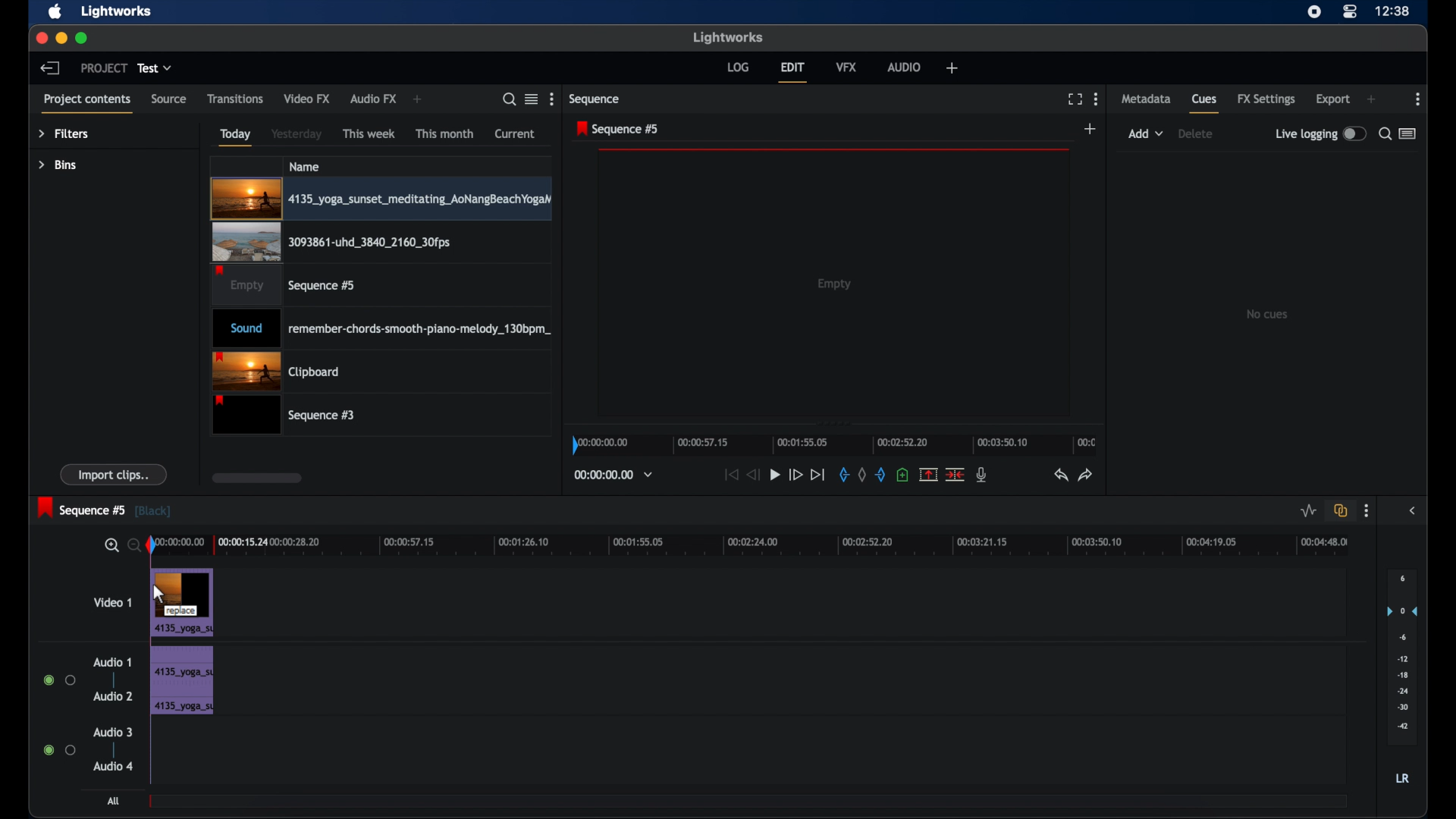  I want to click on toggle between listened tile view, so click(532, 99).